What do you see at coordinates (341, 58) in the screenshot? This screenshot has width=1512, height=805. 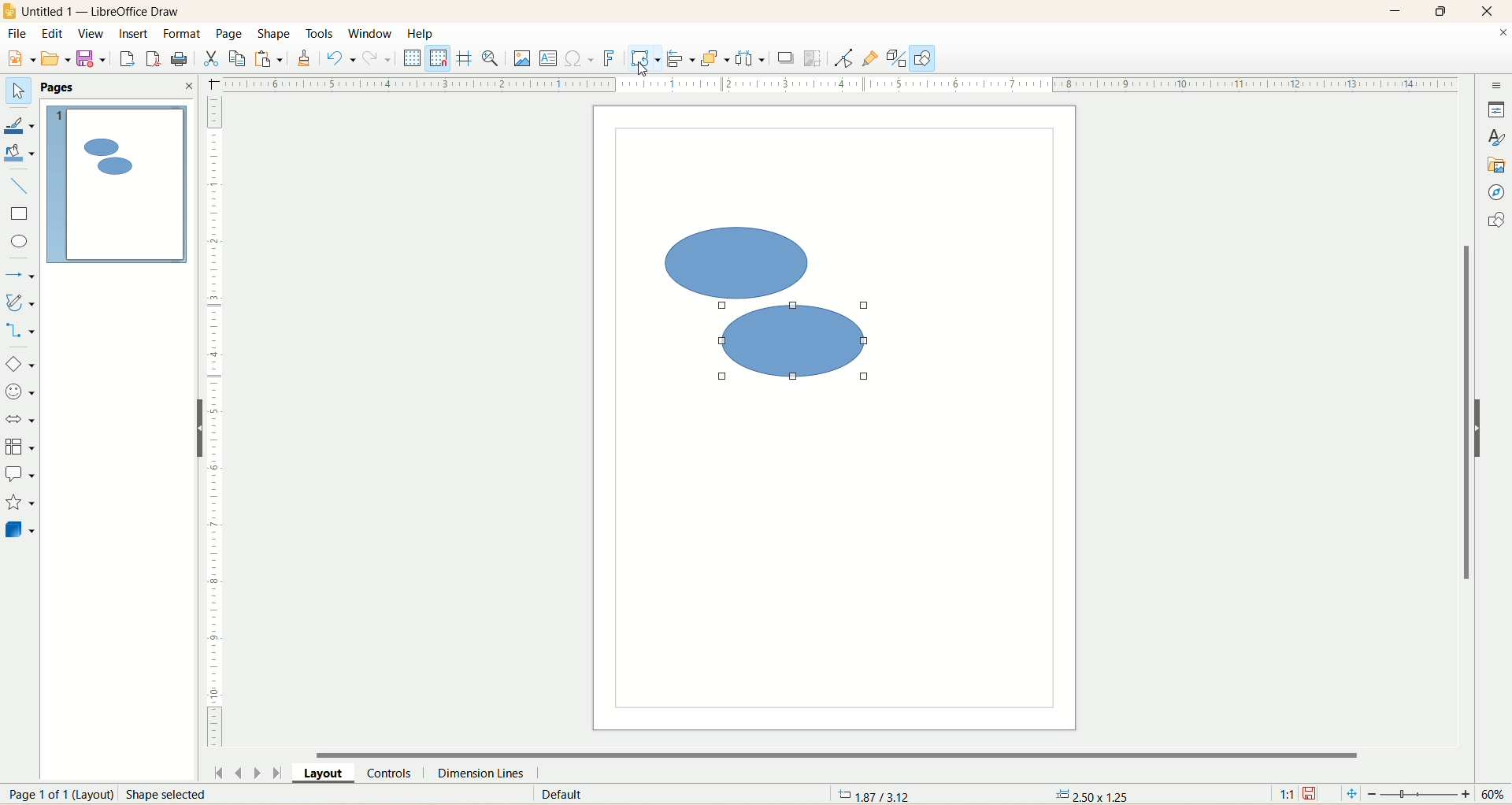 I see `undo` at bounding box center [341, 58].